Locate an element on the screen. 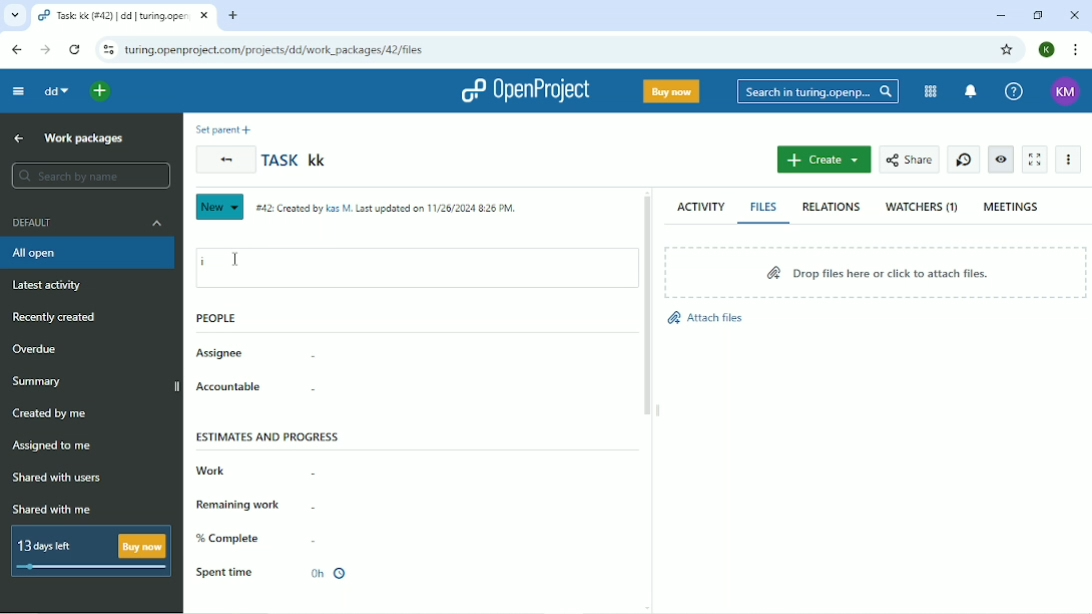 This screenshot has height=614, width=1092. Assignee is located at coordinates (261, 352).